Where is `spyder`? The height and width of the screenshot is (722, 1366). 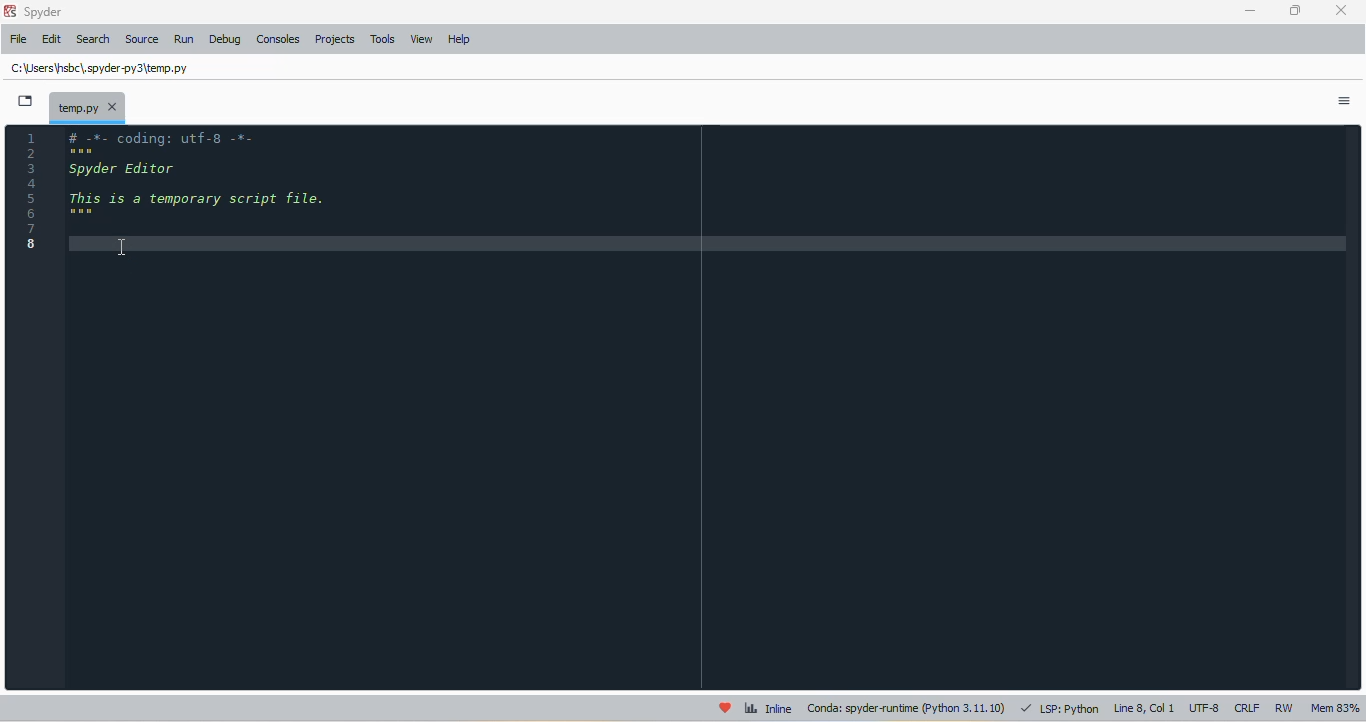
spyder is located at coordinates (9, 11).